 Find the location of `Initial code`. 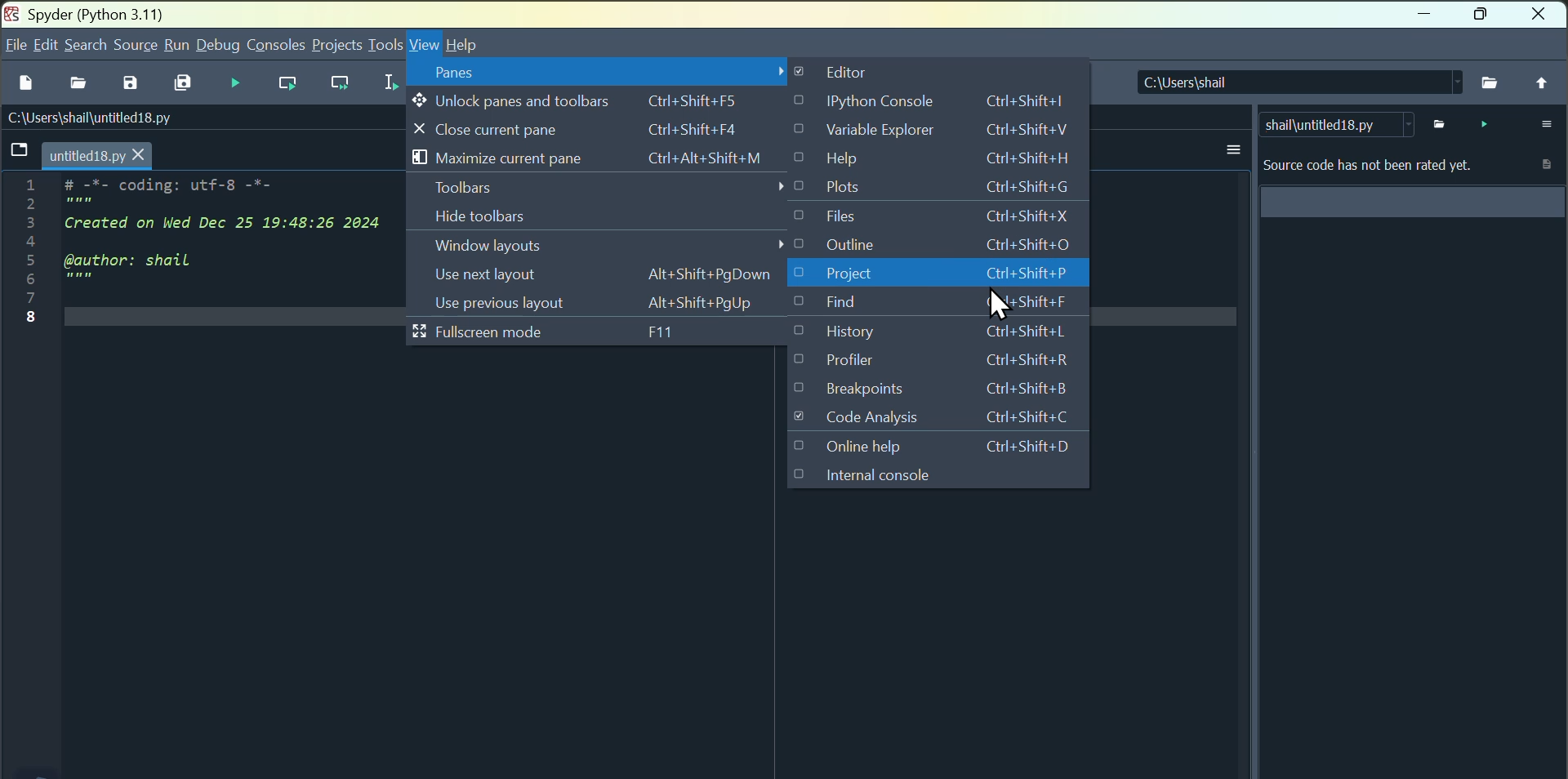

Initial code is located at coordinates (193, 251).